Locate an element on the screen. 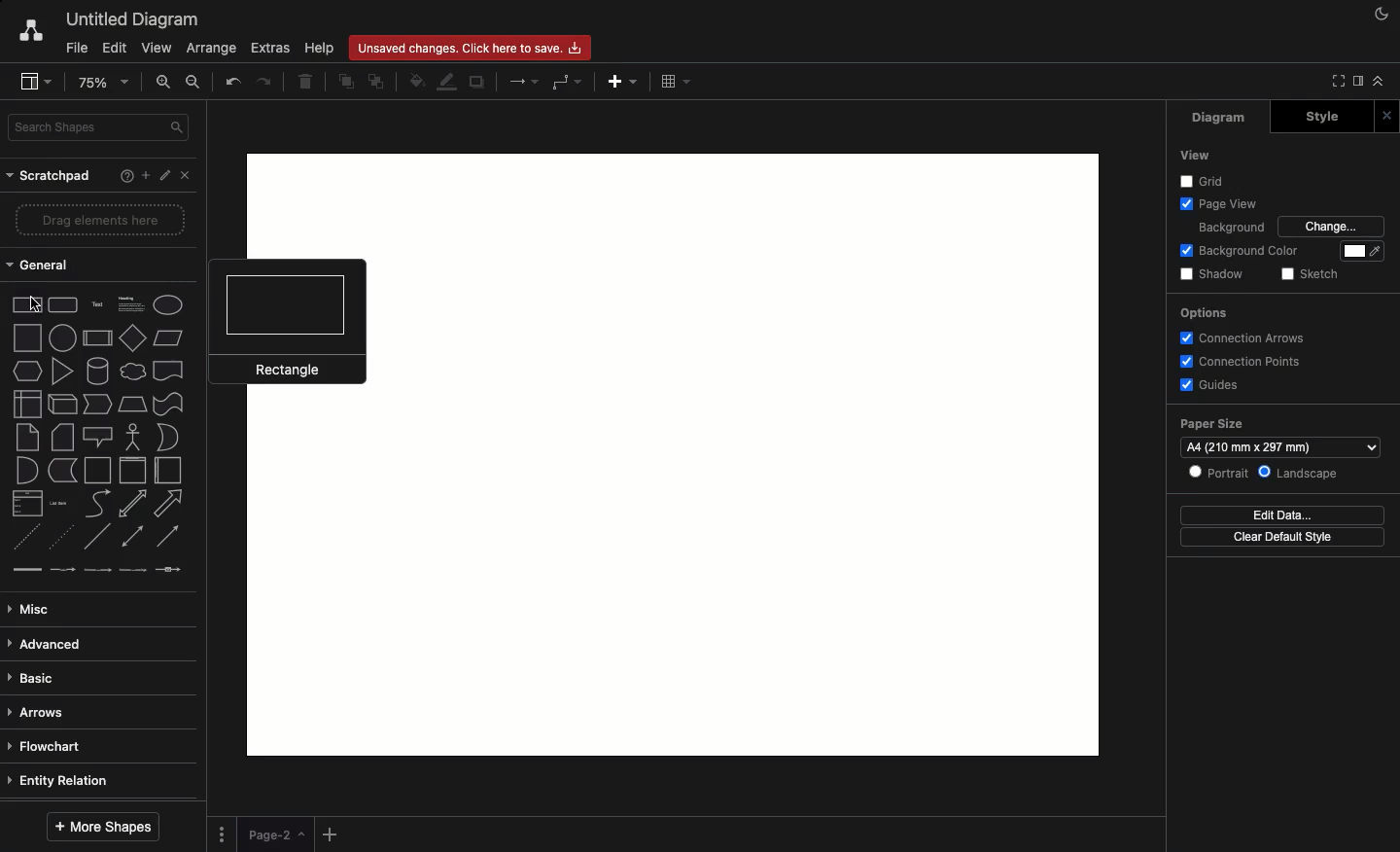  Sidebar is located at coordinates (1354, 83).